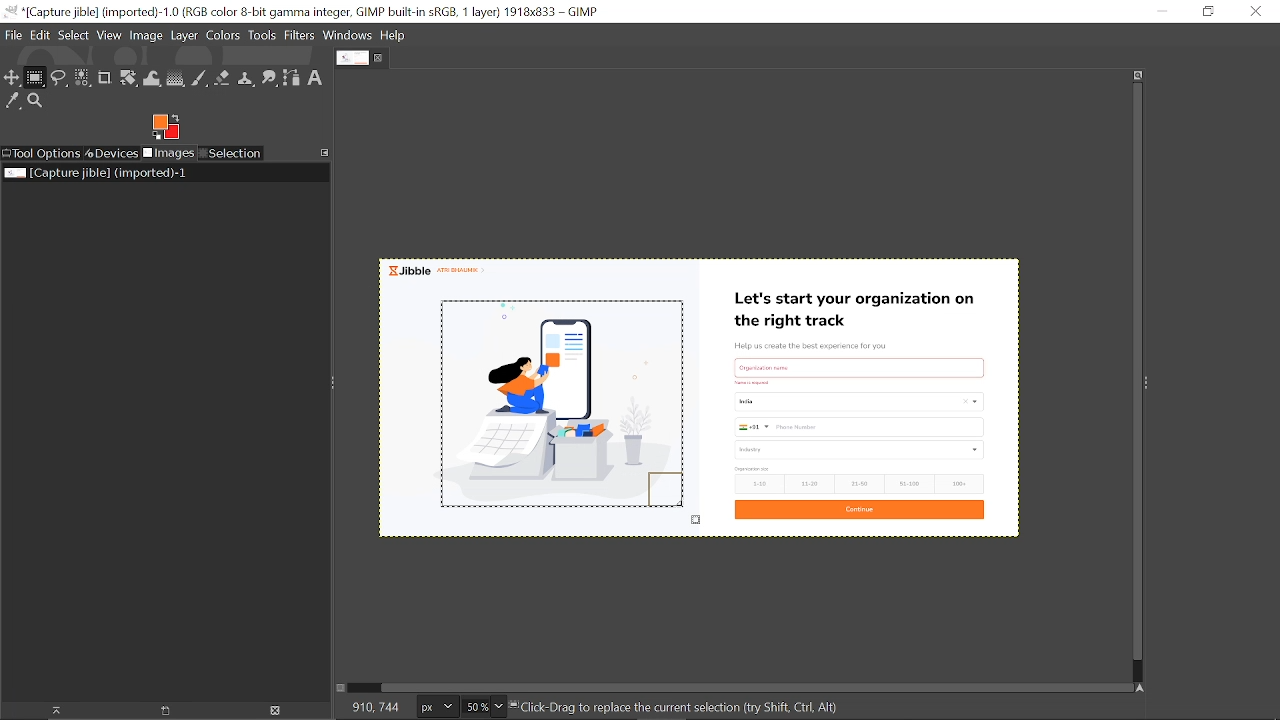 The image size is (1280, 720). Describe the element at coordinates (293, 78) in the screenshot. I see `Path tool` at that location.